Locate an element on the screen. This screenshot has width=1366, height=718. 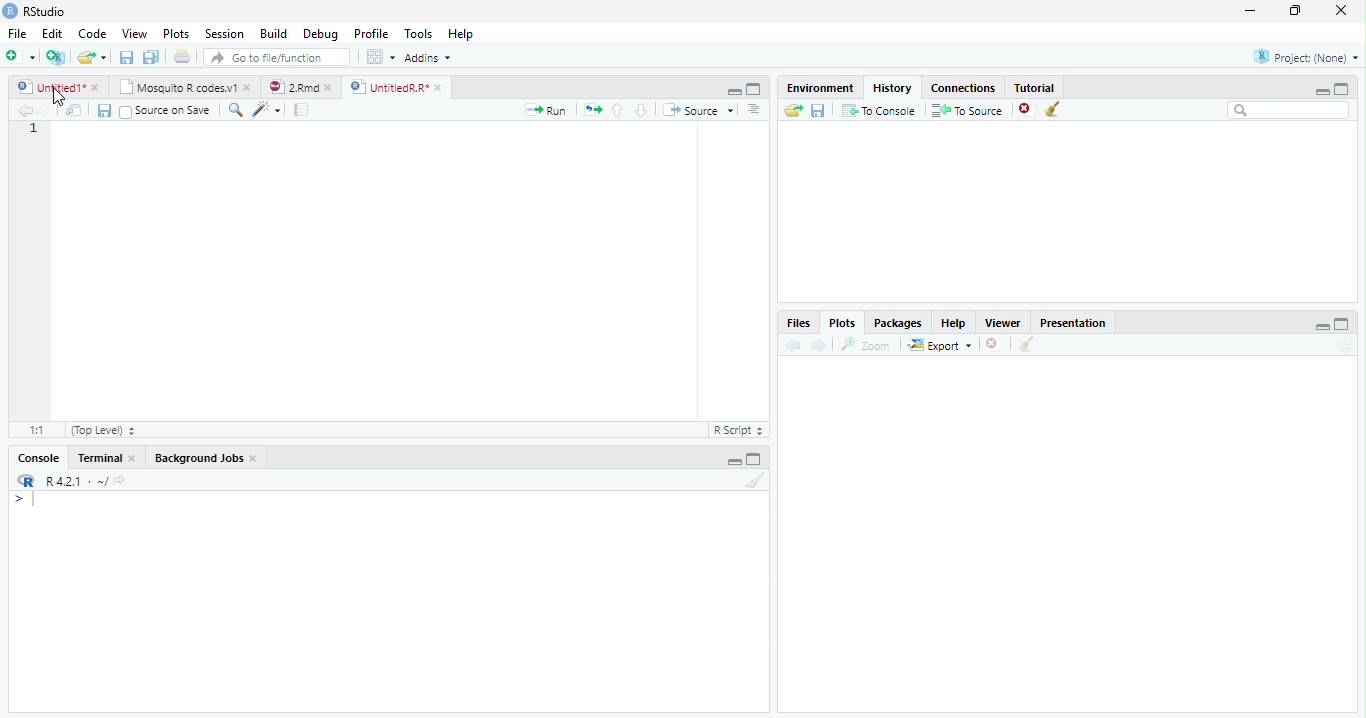
Mosquito R codes is located at coordinates (184, 87).